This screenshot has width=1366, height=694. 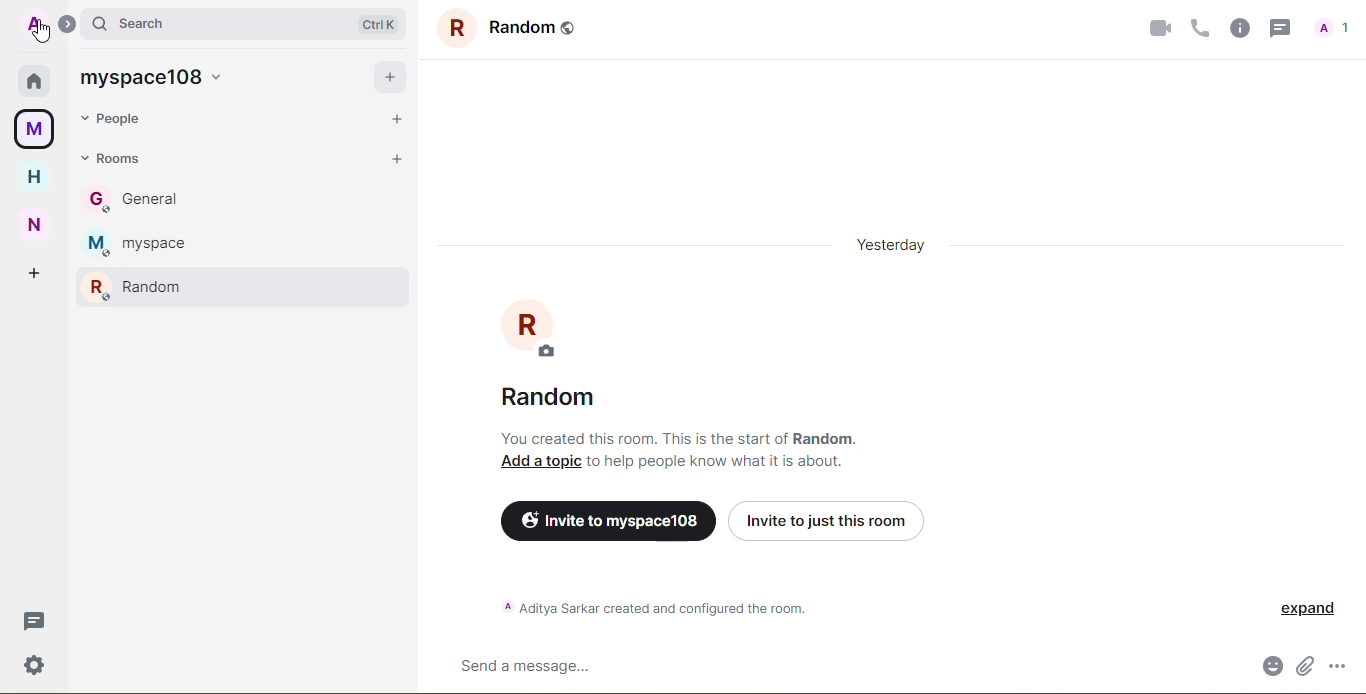 What do you see at coordinates (604, 519) in the screenshot?
I see `invite to myspace` at bounding box center [604, 519].